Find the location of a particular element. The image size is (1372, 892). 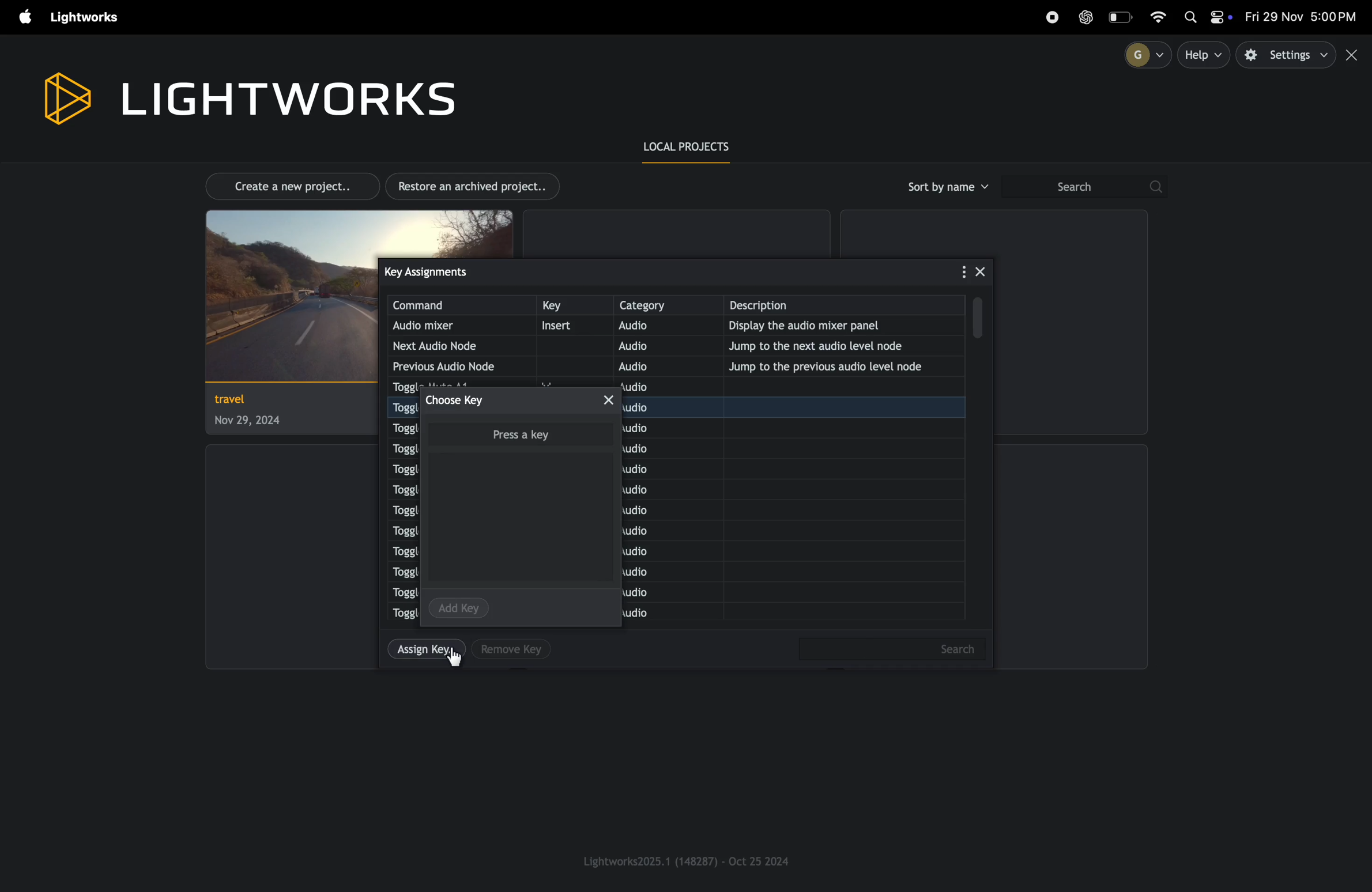

sort by name is located at coordinates (946, 187).